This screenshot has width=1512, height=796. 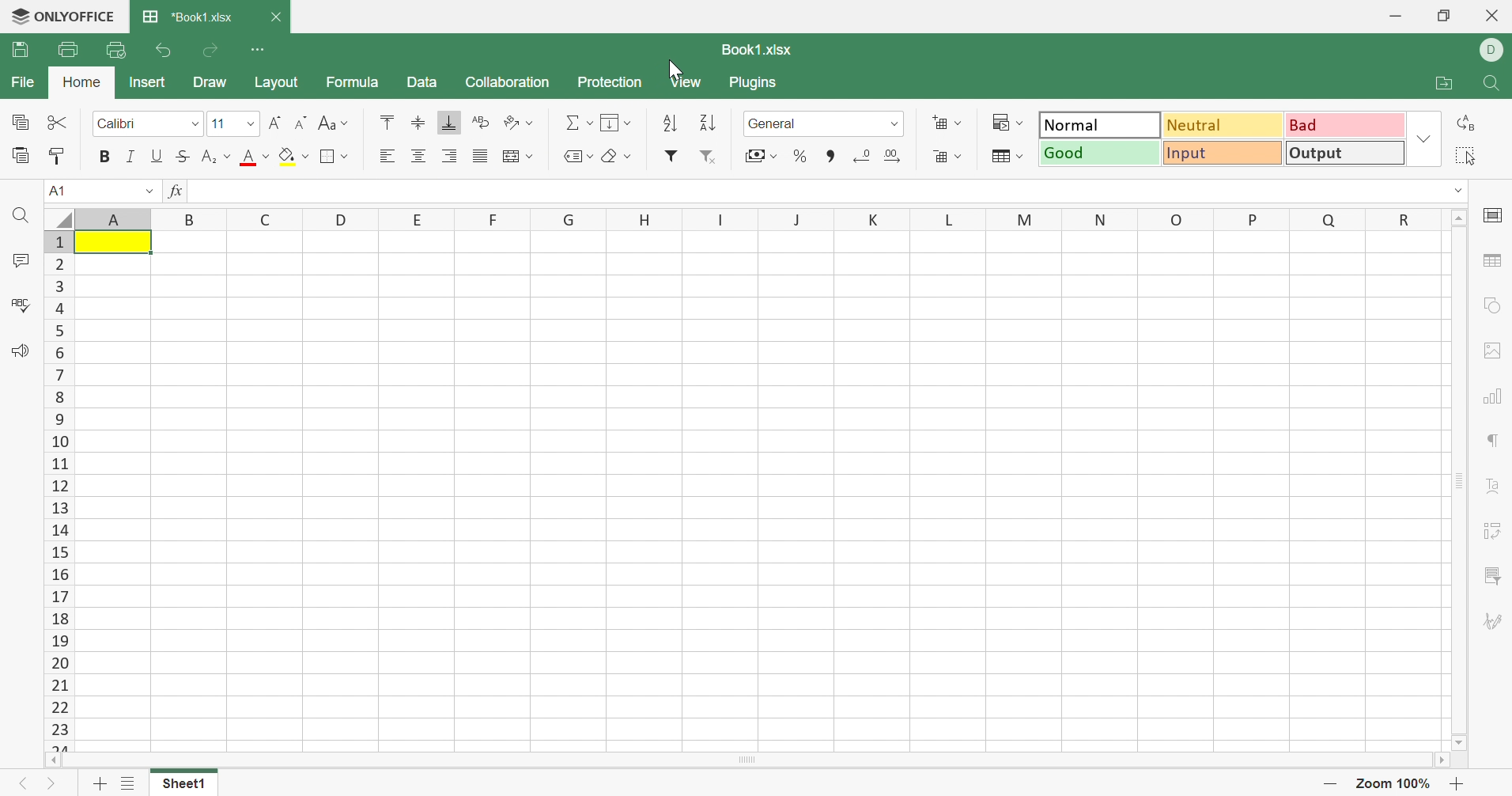 I want to click on Previous, so click(x=27, y=783).